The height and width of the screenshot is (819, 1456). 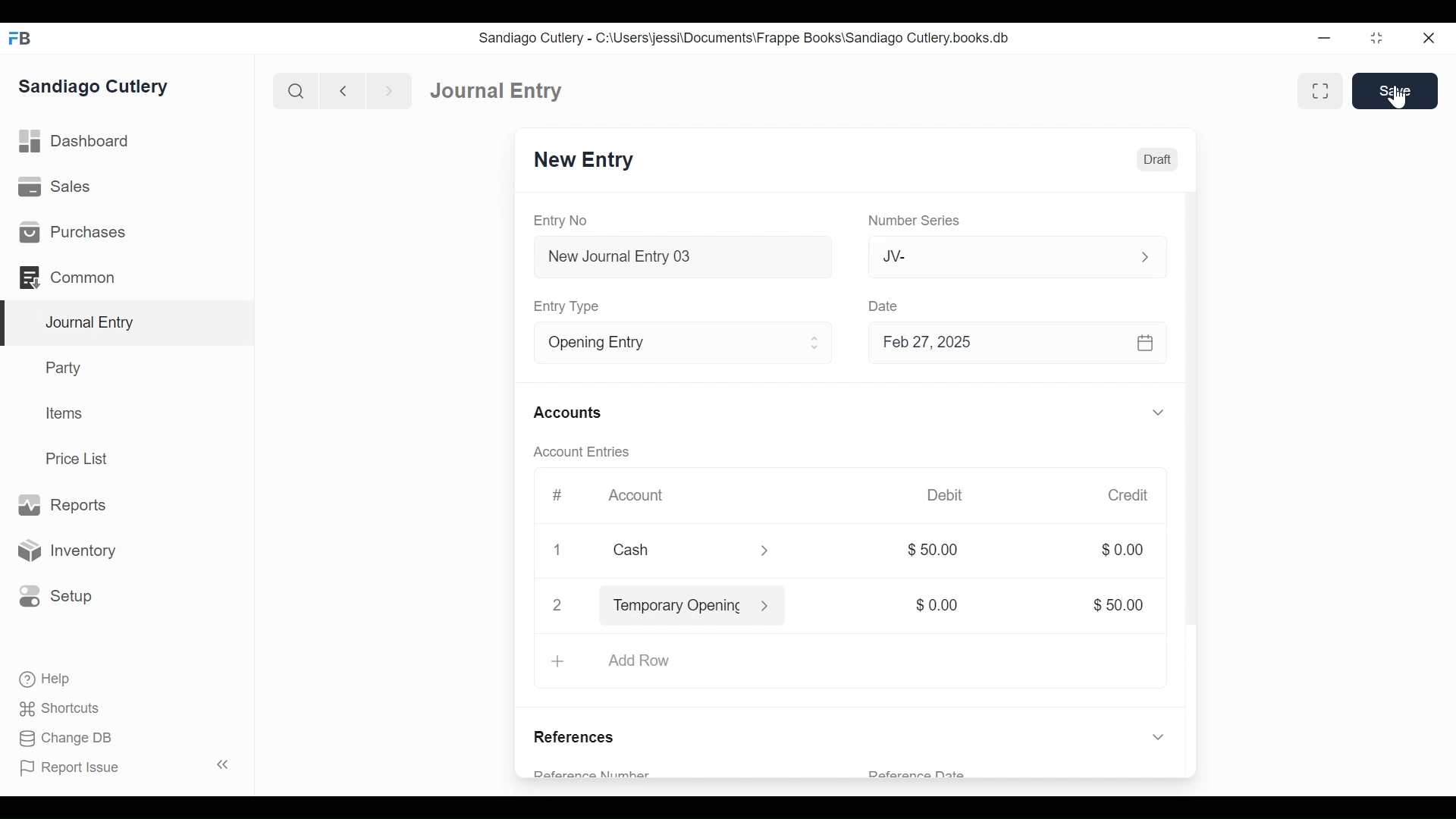 I want to click on Expand, so click(x=772, y=605).